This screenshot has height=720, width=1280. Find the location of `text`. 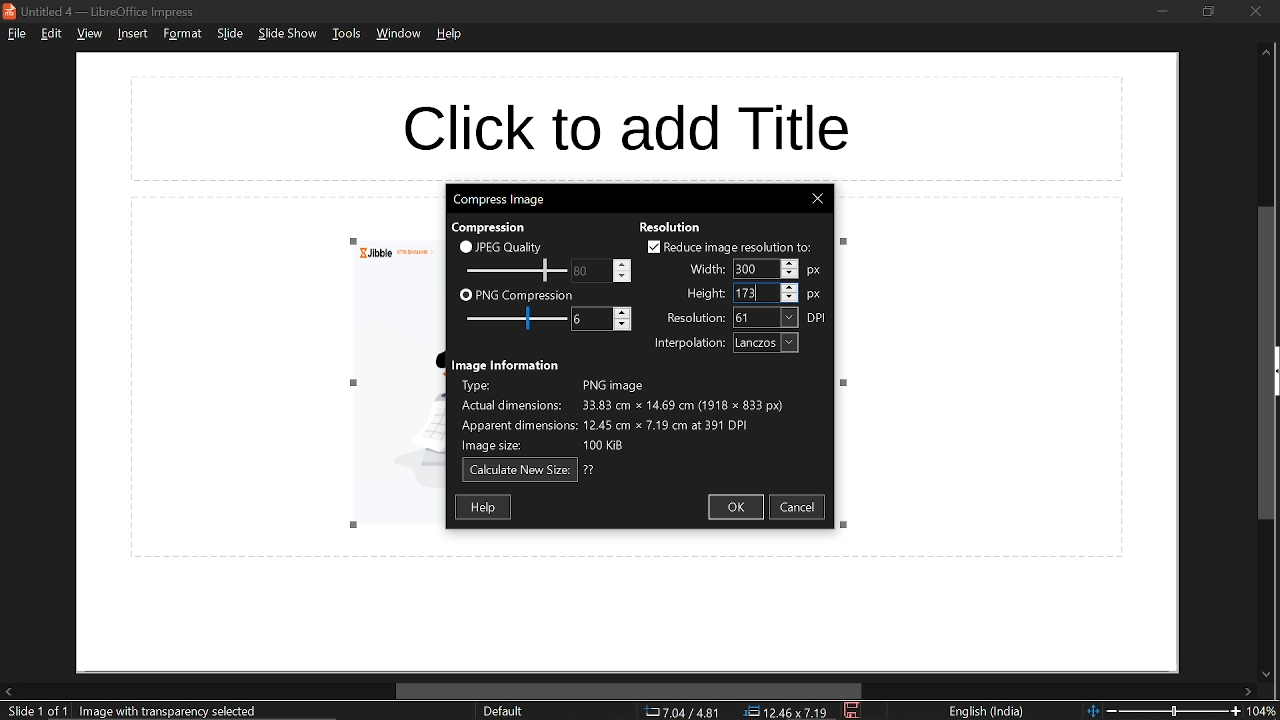

text is located at coordinates (706, 294).